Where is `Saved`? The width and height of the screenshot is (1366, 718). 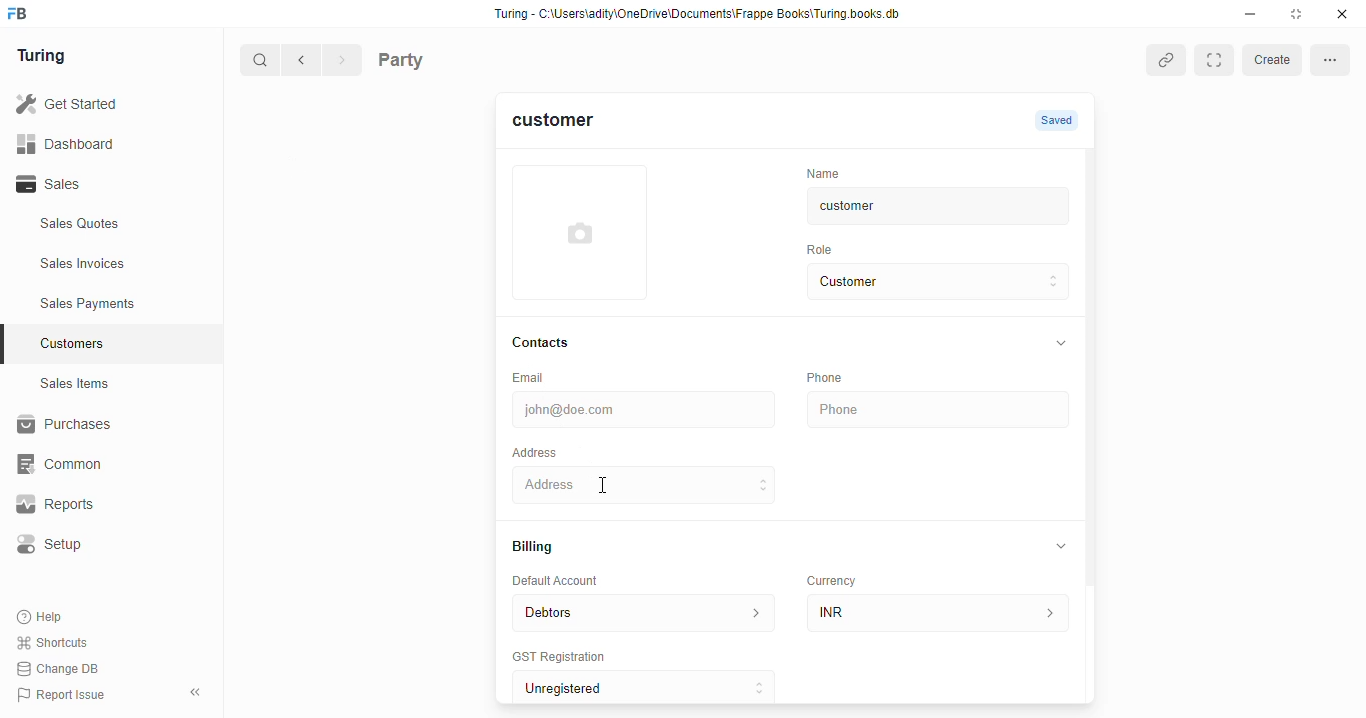 Saved is located at coordinates (1059, 121).